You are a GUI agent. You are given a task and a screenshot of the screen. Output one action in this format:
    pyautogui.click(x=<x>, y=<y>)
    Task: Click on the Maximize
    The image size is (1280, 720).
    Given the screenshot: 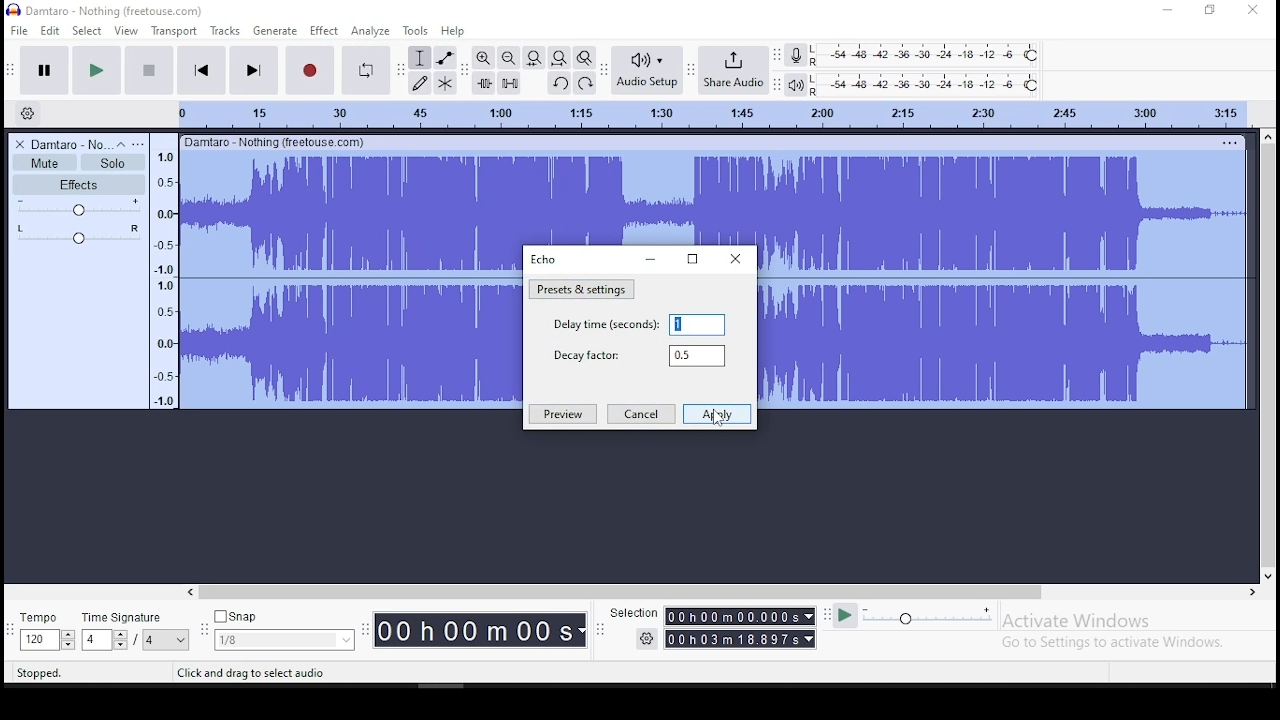 What is the action you would take?
    pyautogui.click(x=694, y=259)
    